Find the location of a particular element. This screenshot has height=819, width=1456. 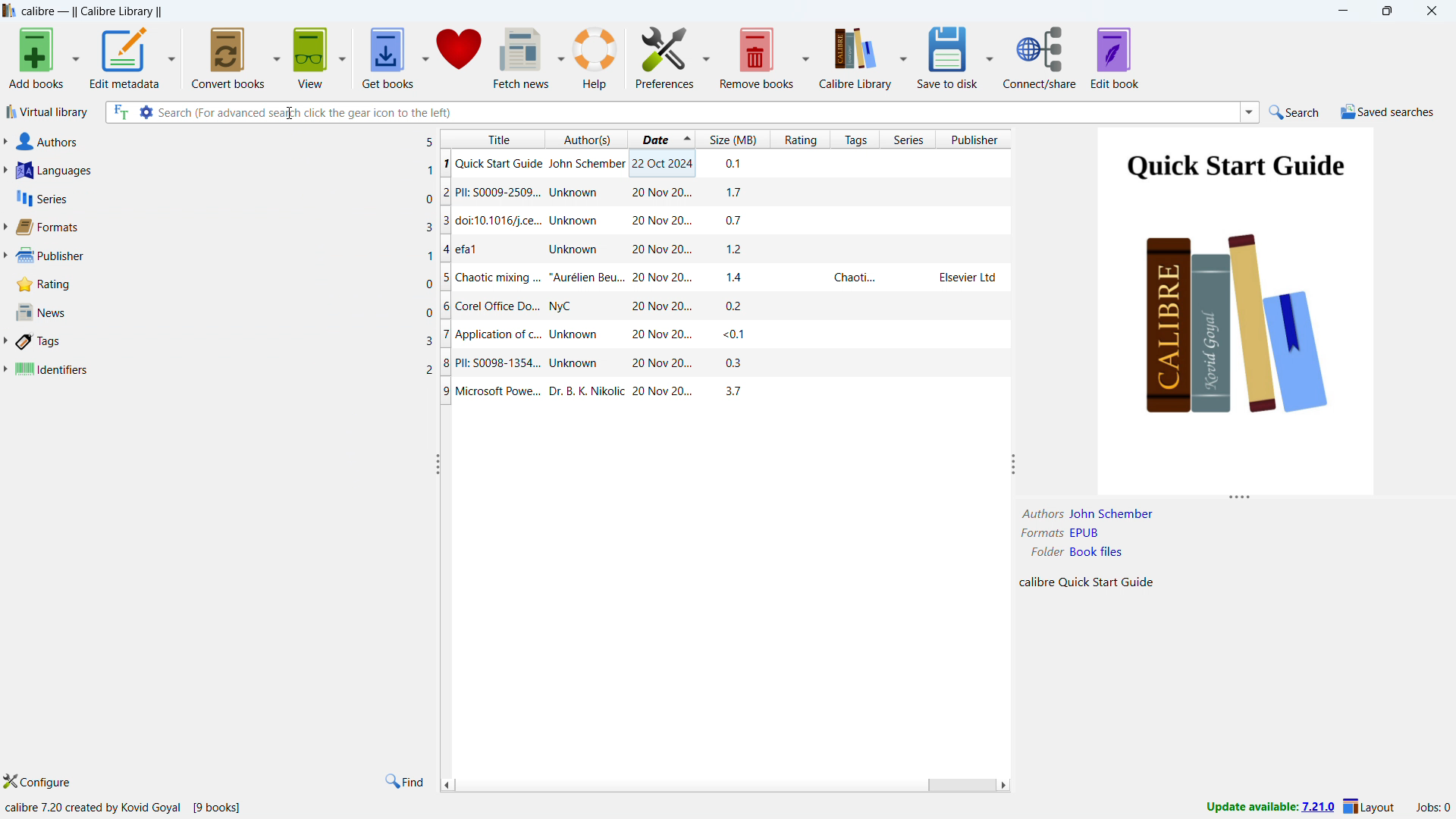

scrollbar is located at coordinates (962, 784).